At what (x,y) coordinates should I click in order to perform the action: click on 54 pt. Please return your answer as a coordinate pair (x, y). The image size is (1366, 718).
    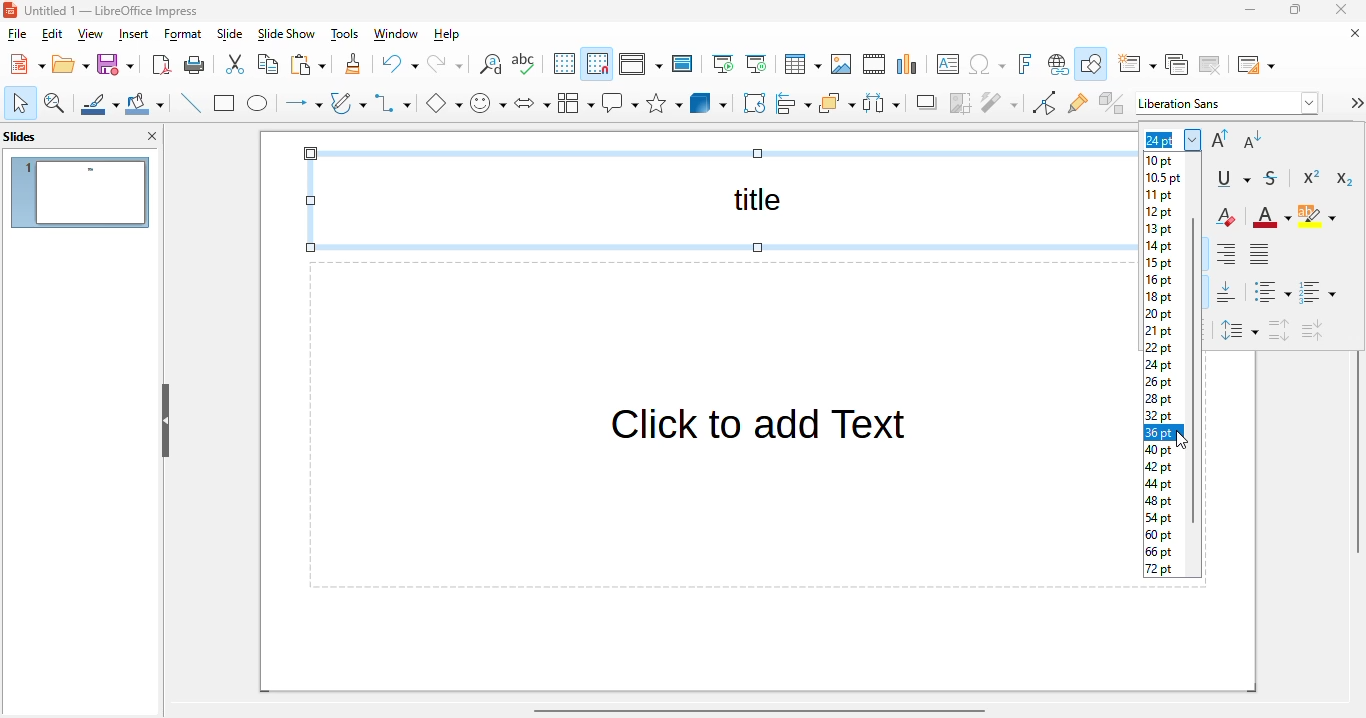
    Looking at the image, I should click on (1159, 518).